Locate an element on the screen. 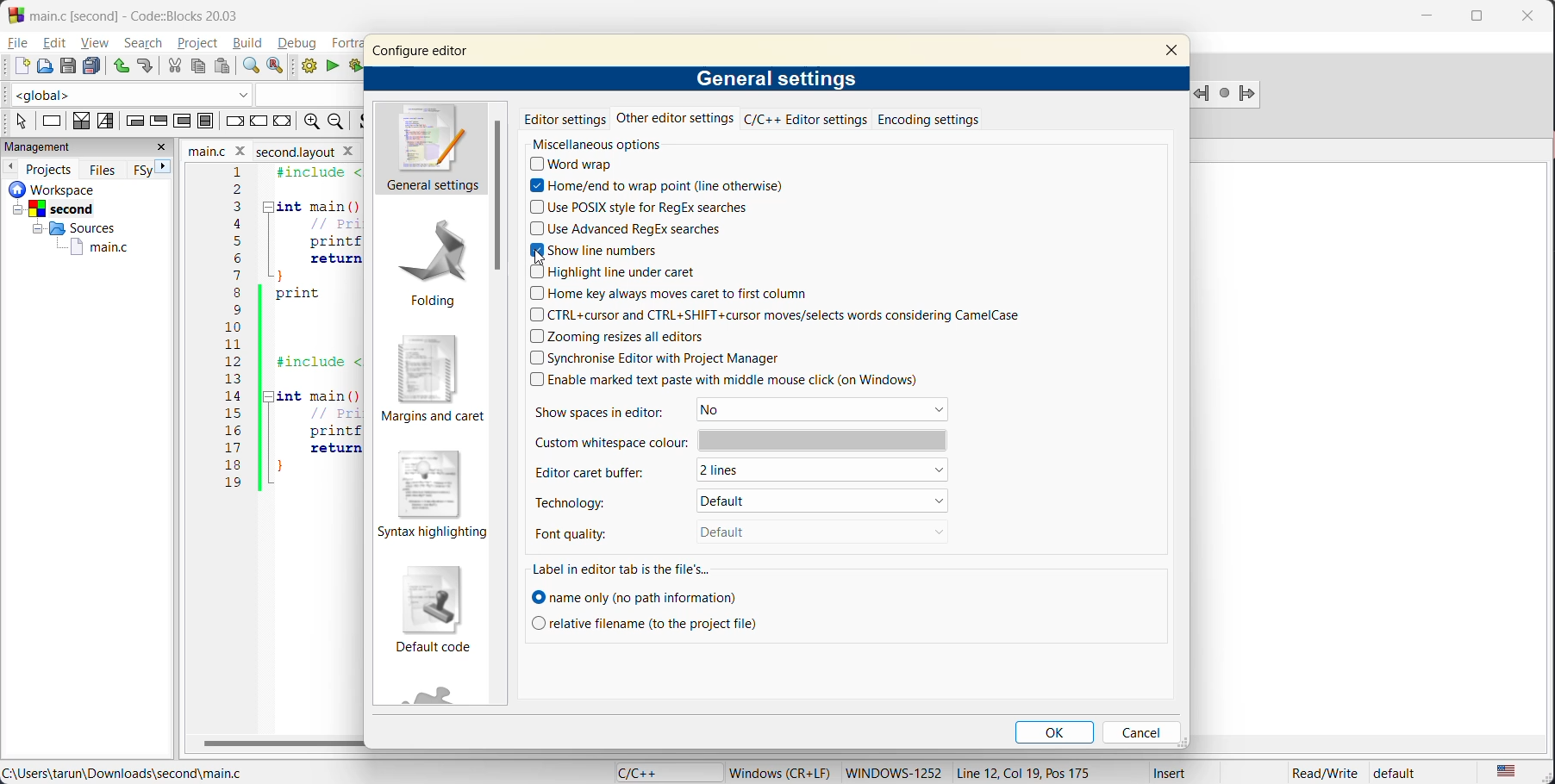  search is located at coordinates (146, 42).